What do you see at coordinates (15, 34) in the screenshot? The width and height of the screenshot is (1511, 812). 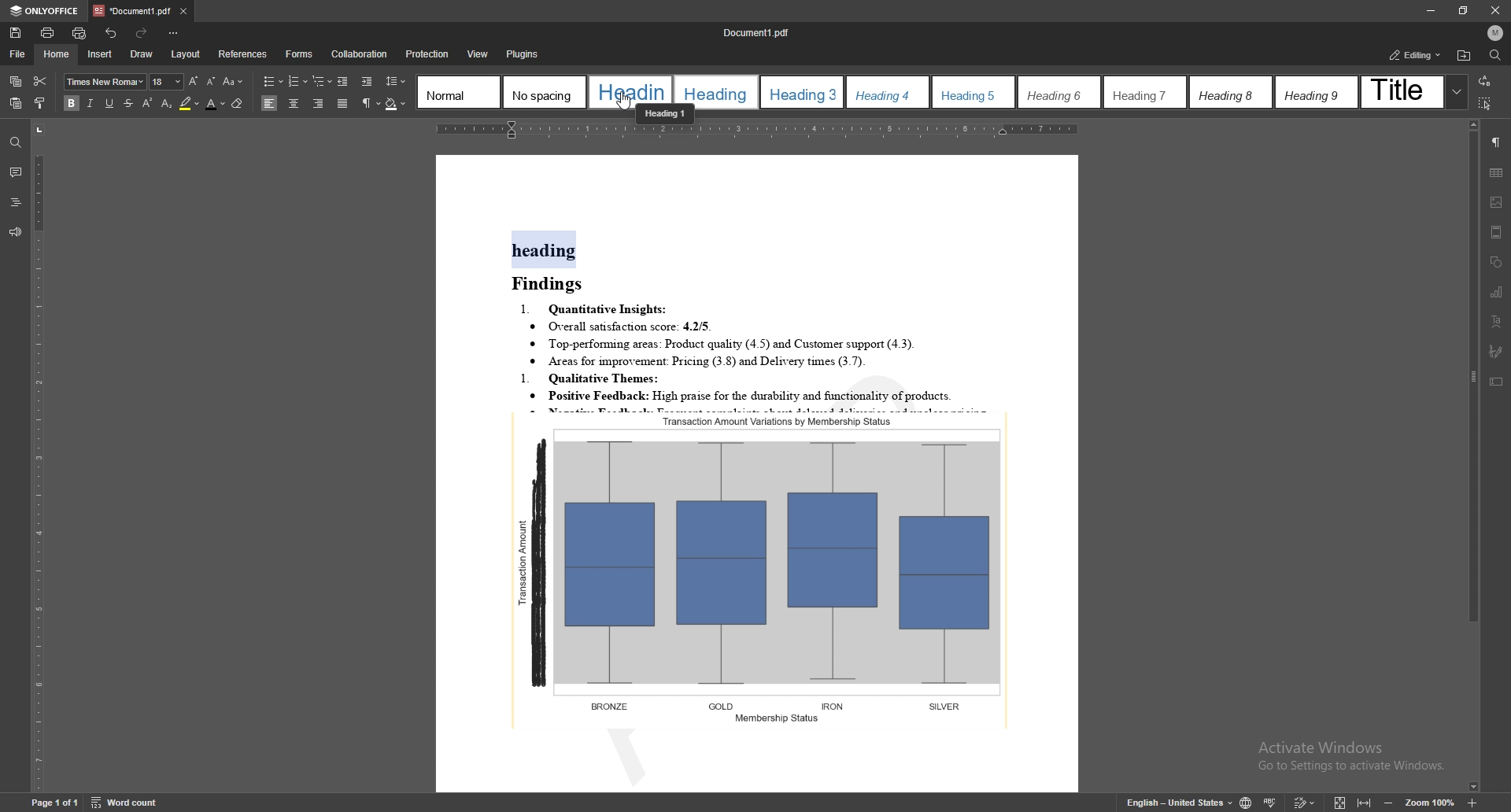 I see `save` at bounding box center [15, 34].